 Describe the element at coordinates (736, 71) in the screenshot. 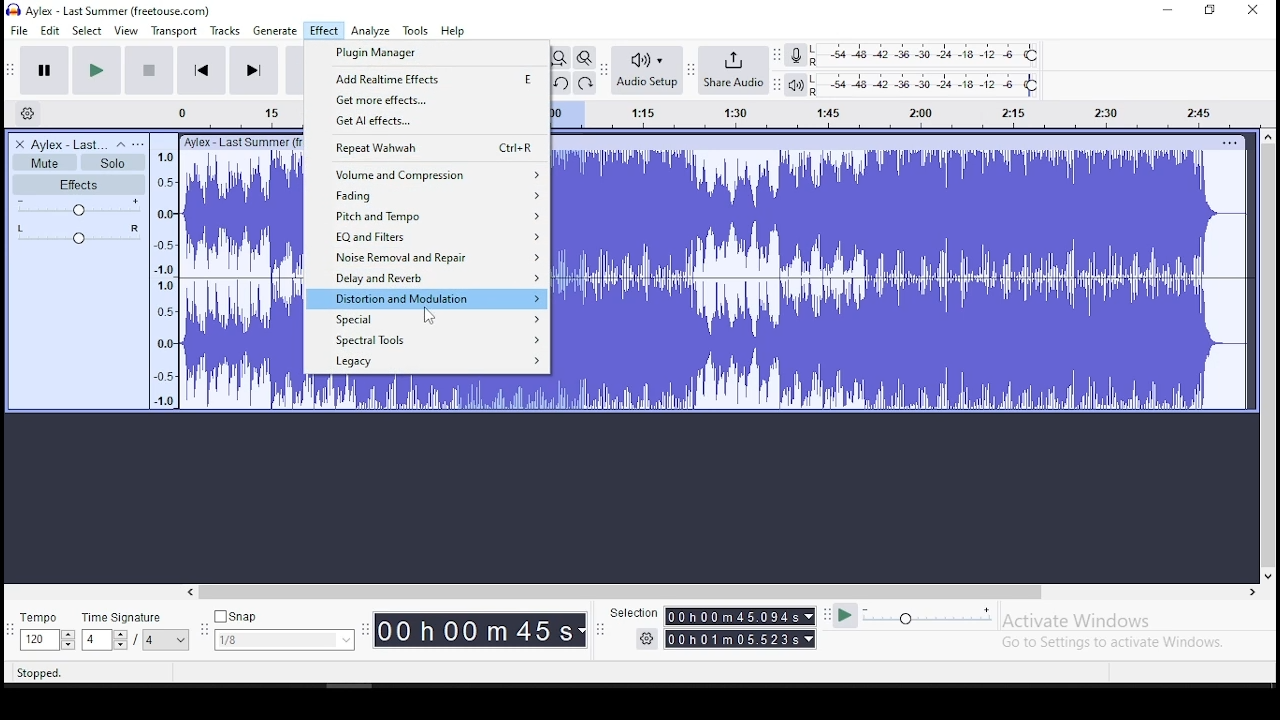

I see `share audio` at that location.